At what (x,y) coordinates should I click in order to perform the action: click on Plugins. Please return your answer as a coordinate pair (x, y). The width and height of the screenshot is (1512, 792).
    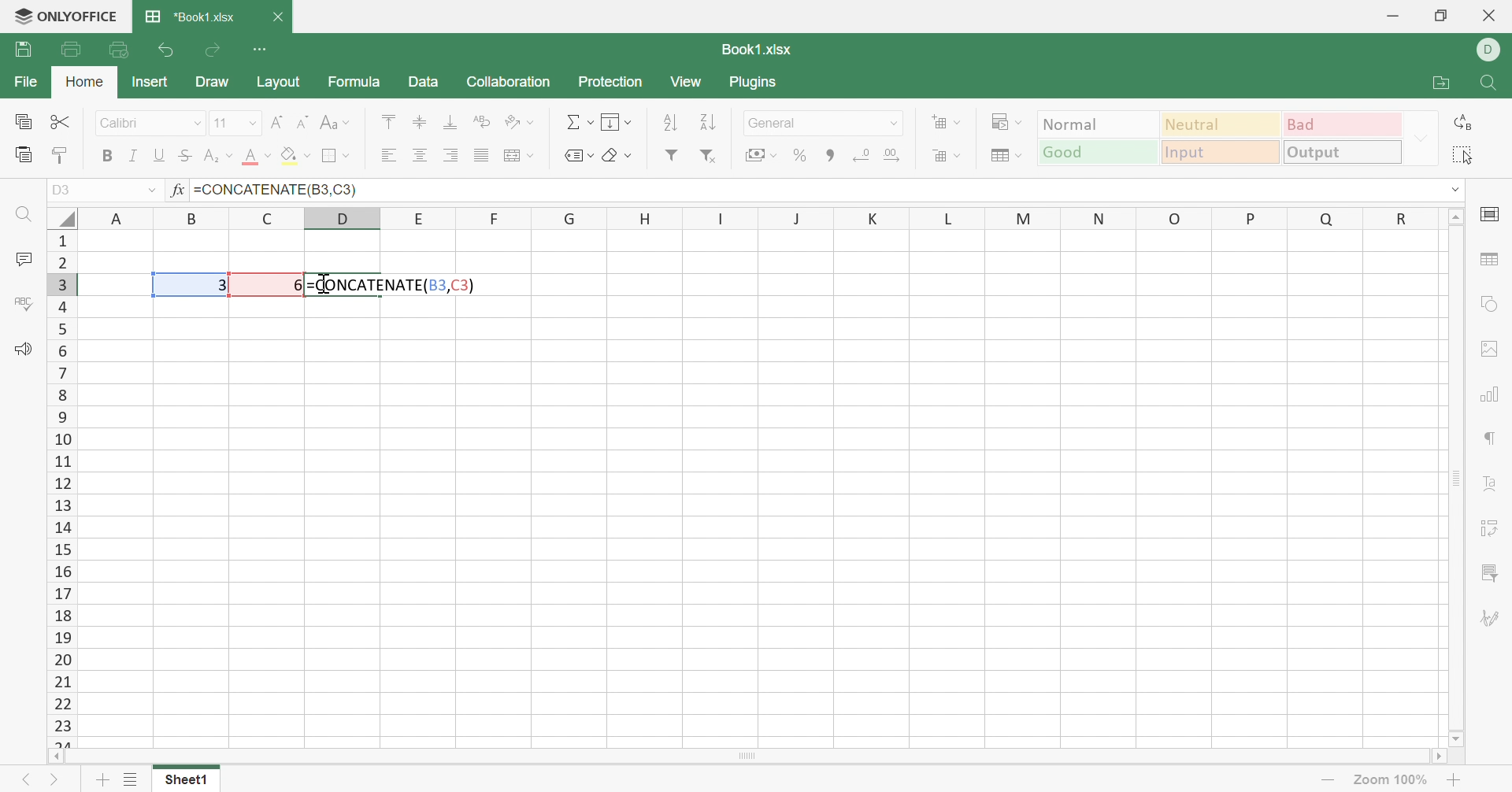
    Looking at the image, I should click on (754, 80).